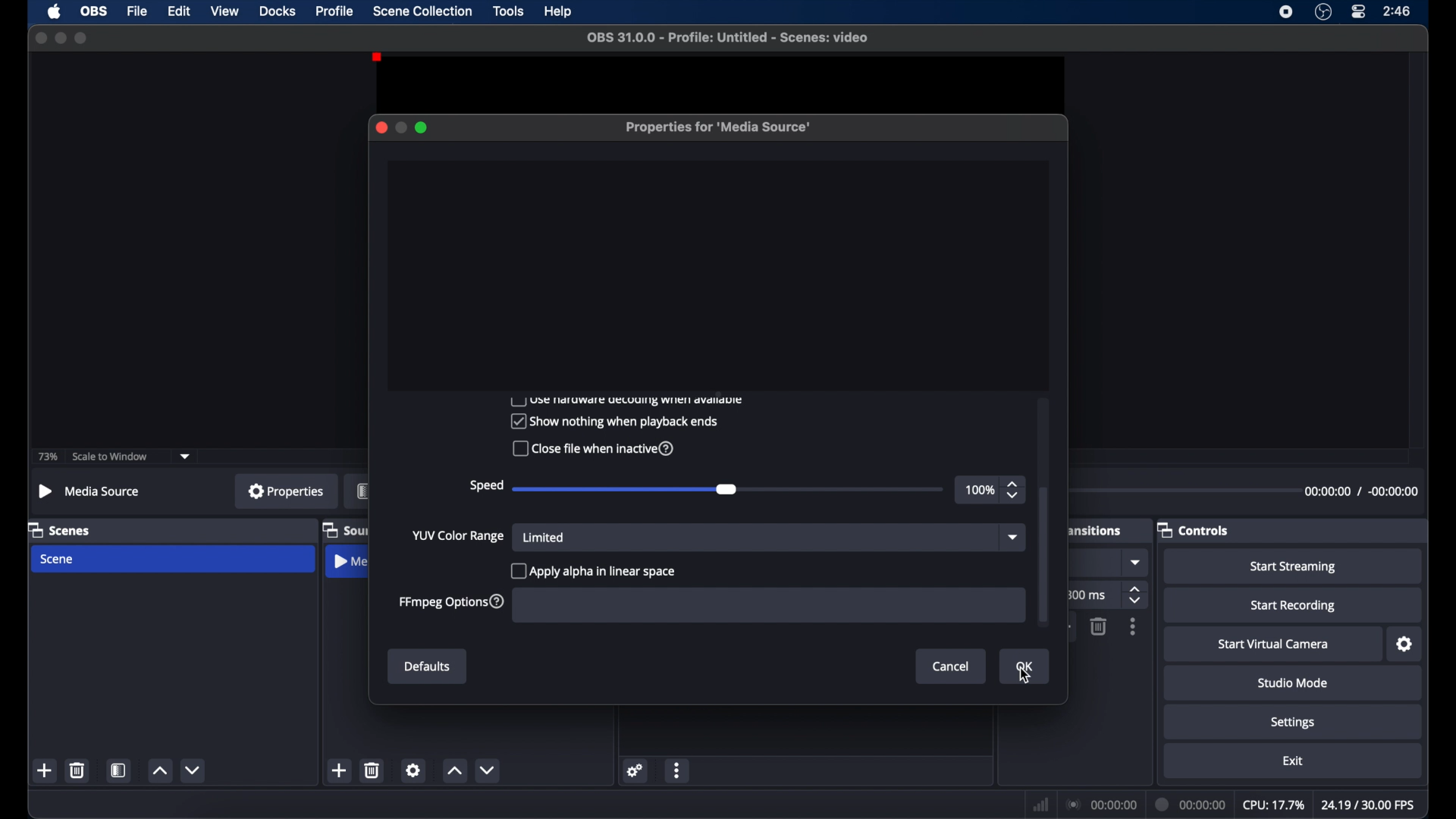 The height and width of the screenshot is (819, 1456). I want to click on obs, so click(94, 11).